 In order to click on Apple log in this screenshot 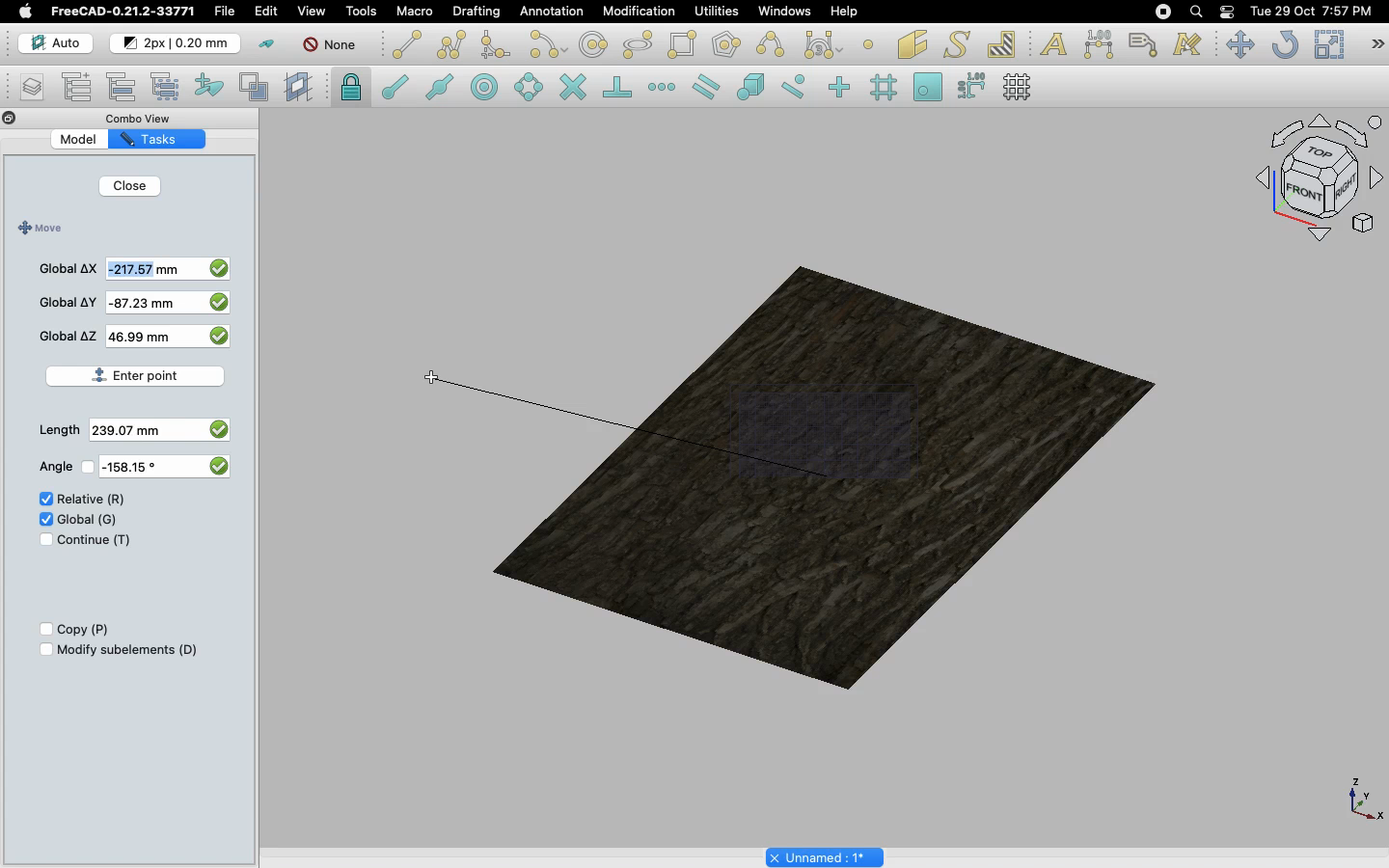, I will do `click(26, 11)`.